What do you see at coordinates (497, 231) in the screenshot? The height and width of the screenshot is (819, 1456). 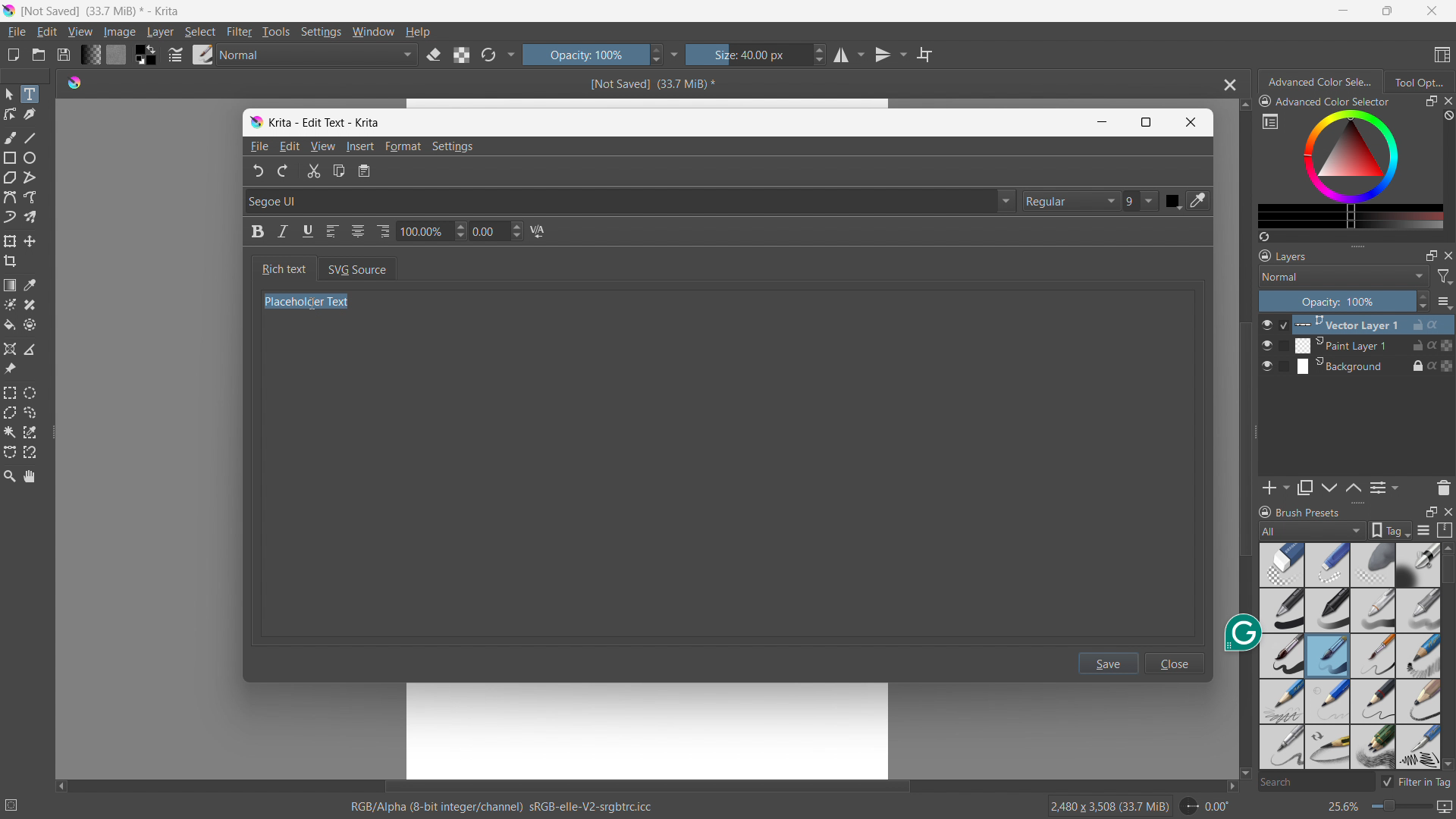 I see `letter spacing` at bounding box center [497, 231].